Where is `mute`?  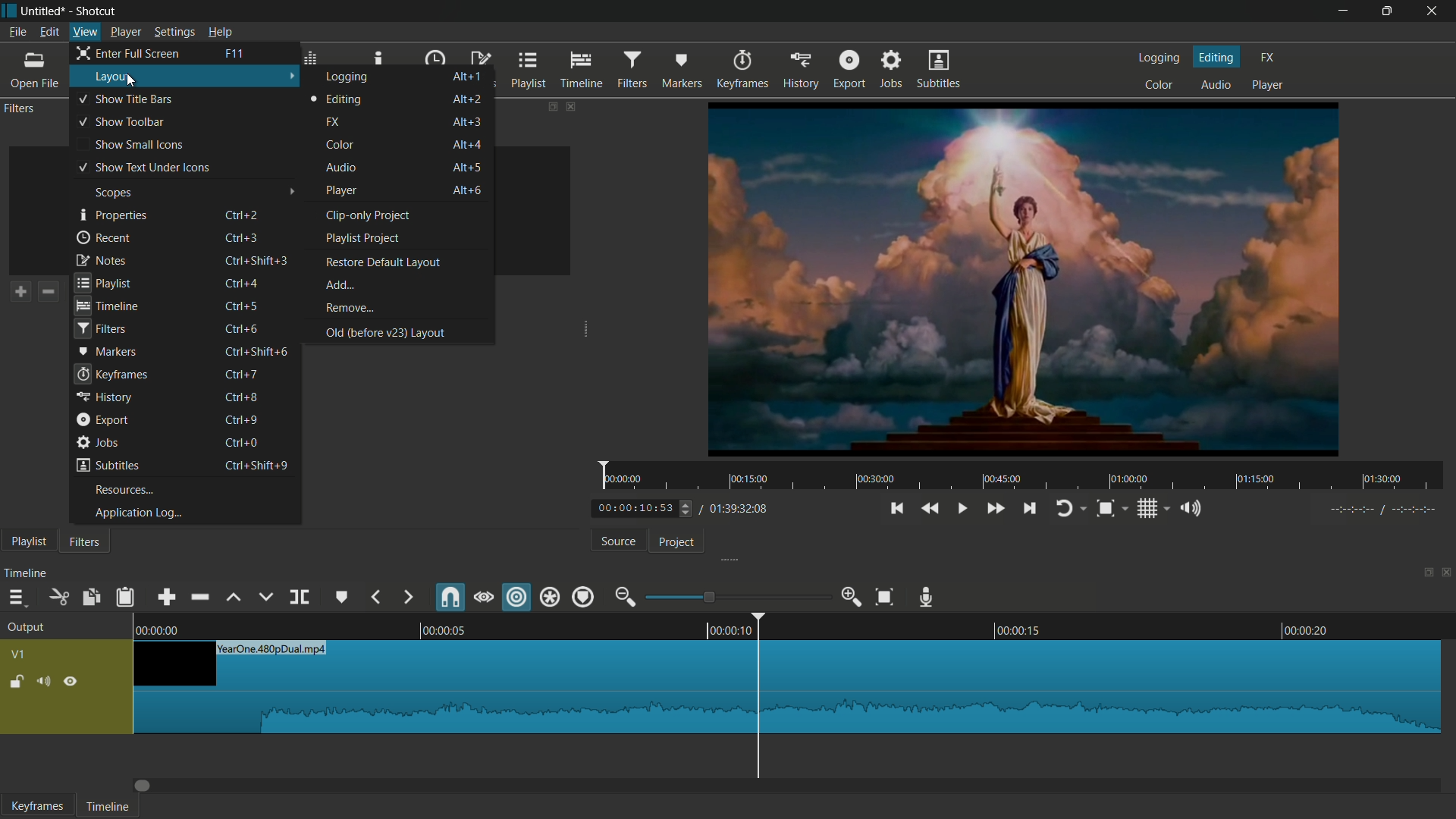 mute is located at coordinates (46, 682).